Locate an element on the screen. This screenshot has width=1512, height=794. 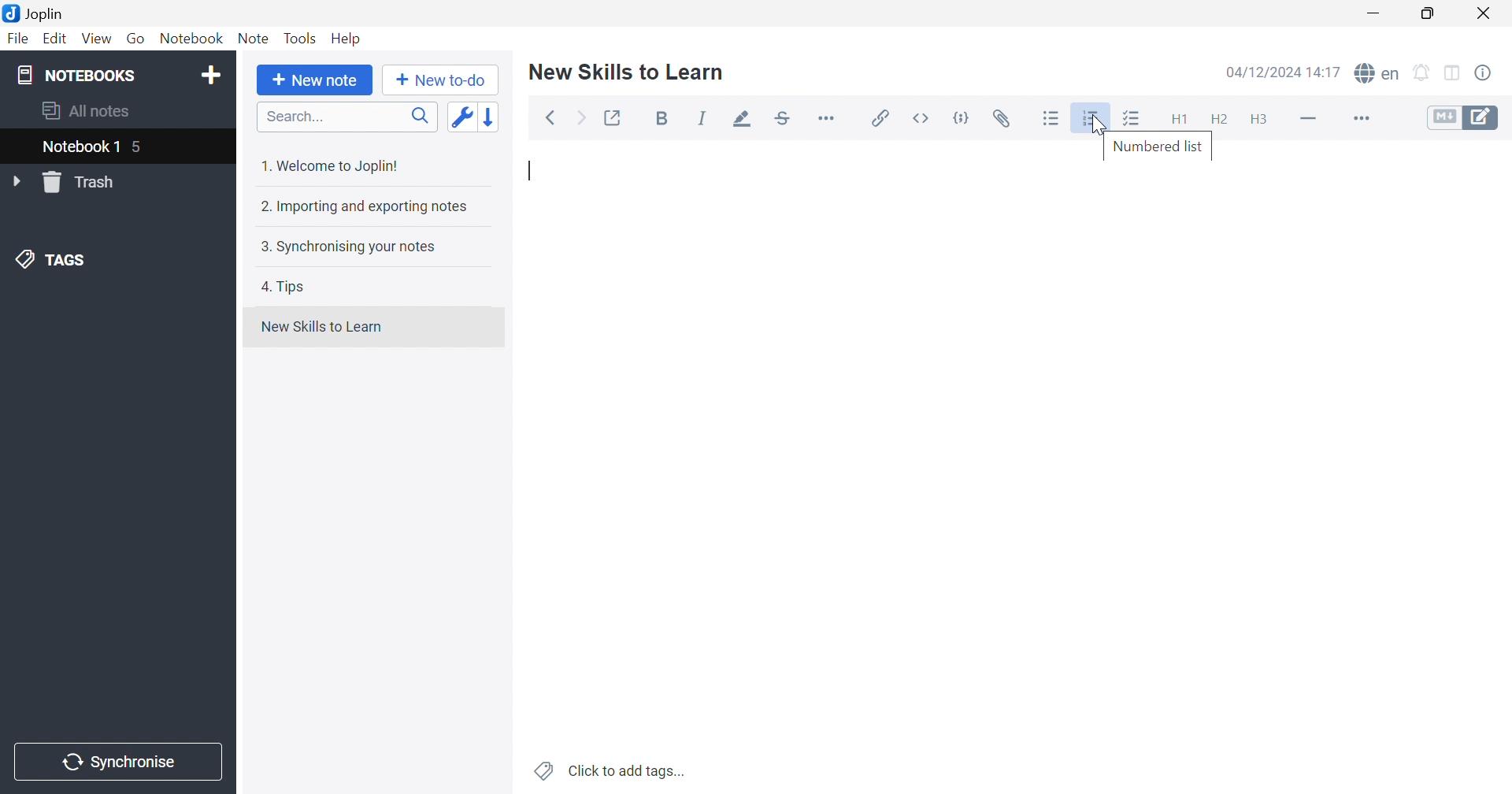
3. Synchronising your notes is located at coordinates (344, 246).